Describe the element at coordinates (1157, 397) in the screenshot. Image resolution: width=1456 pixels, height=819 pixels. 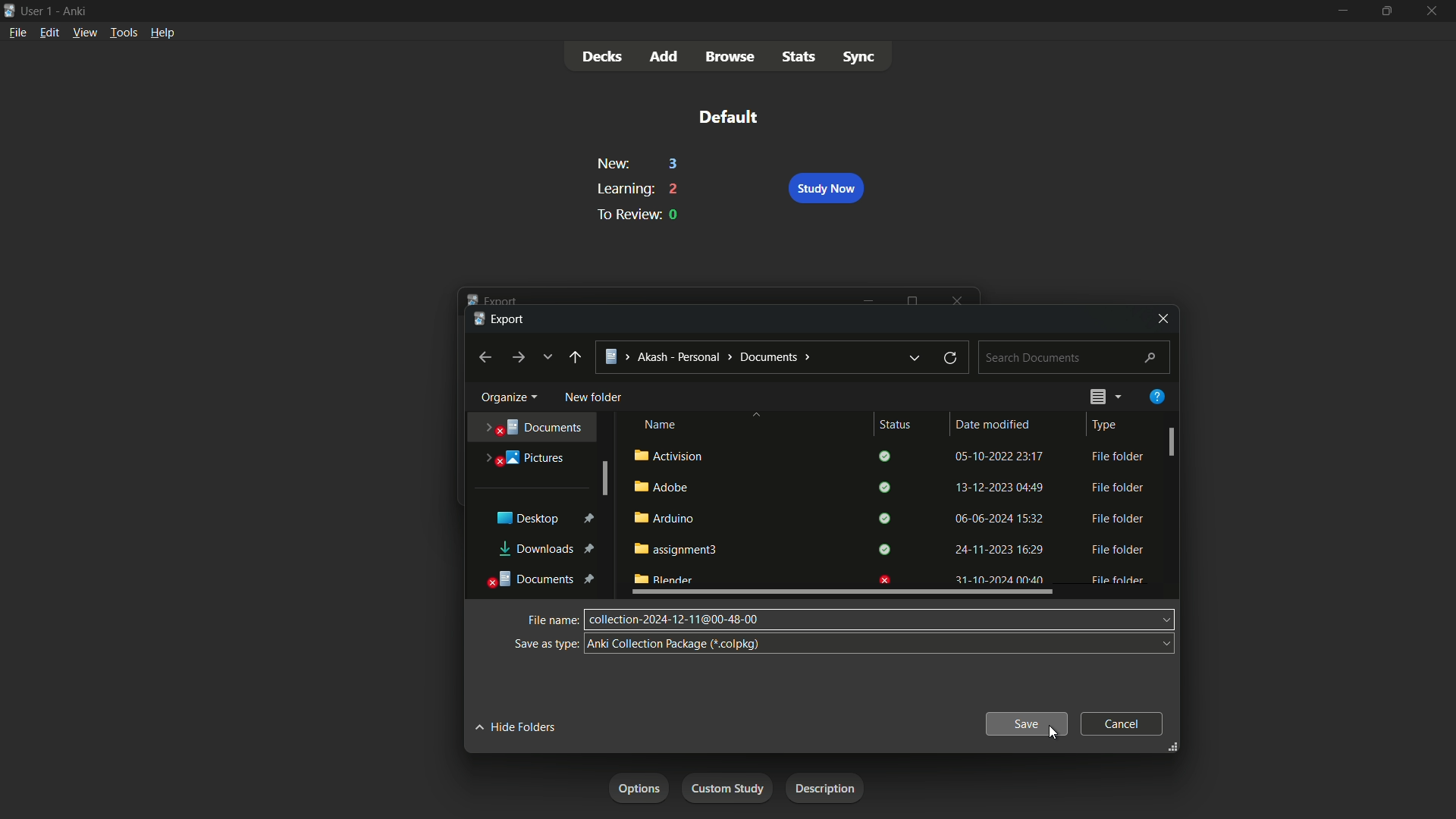
I see `get help` at that location.